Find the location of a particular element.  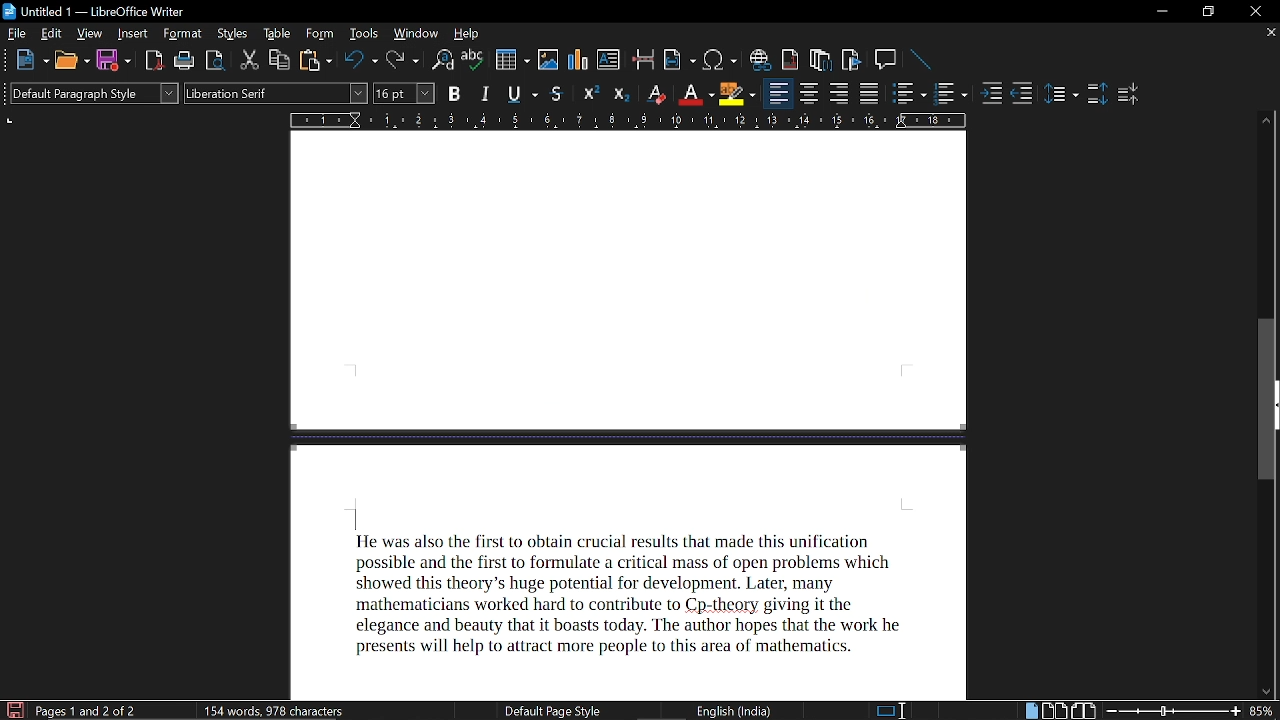

Tools is located at coordinates (363, 35).